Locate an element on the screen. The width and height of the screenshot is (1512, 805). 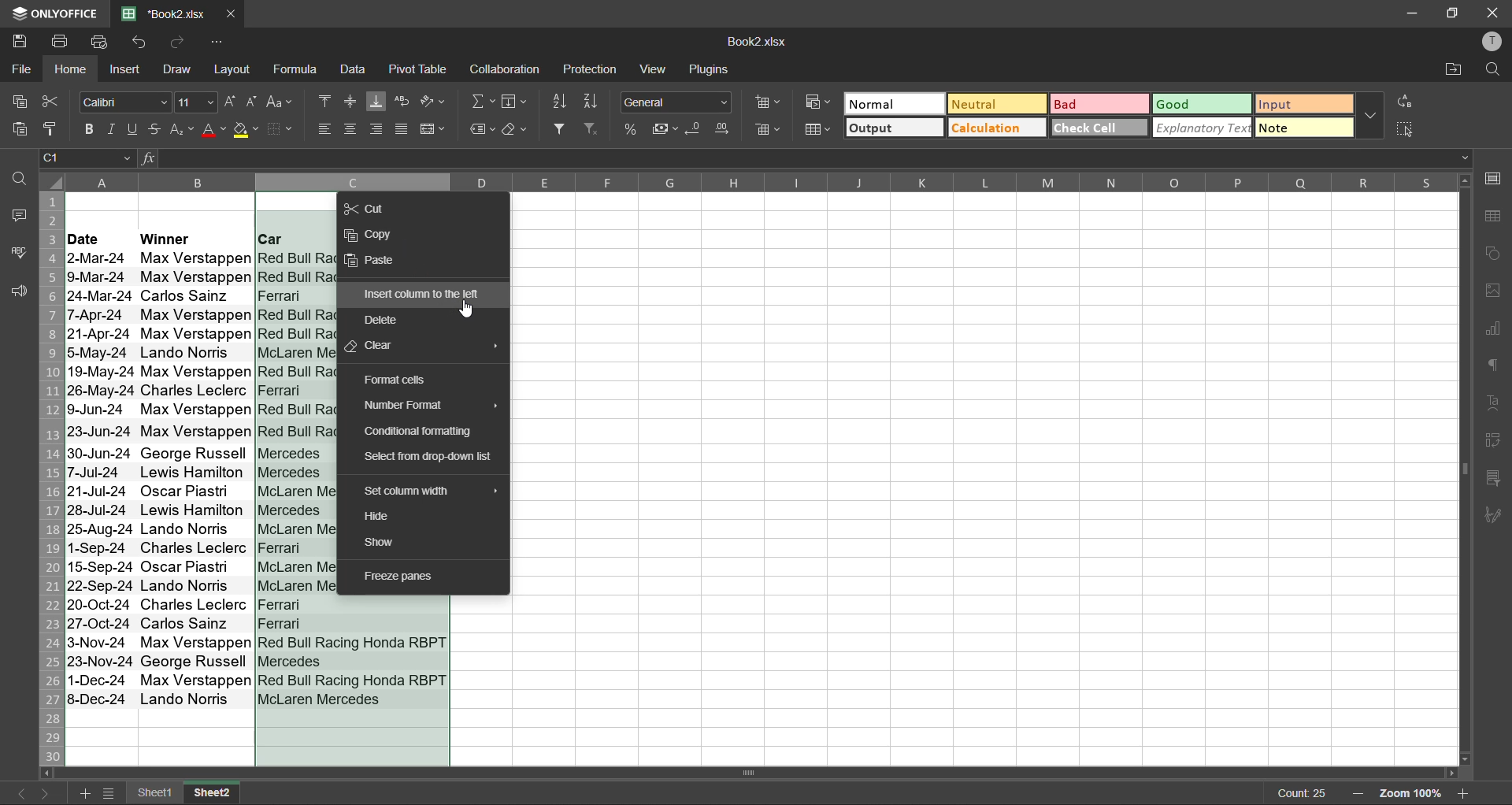
align bottom is located at coordinates (376, 99).